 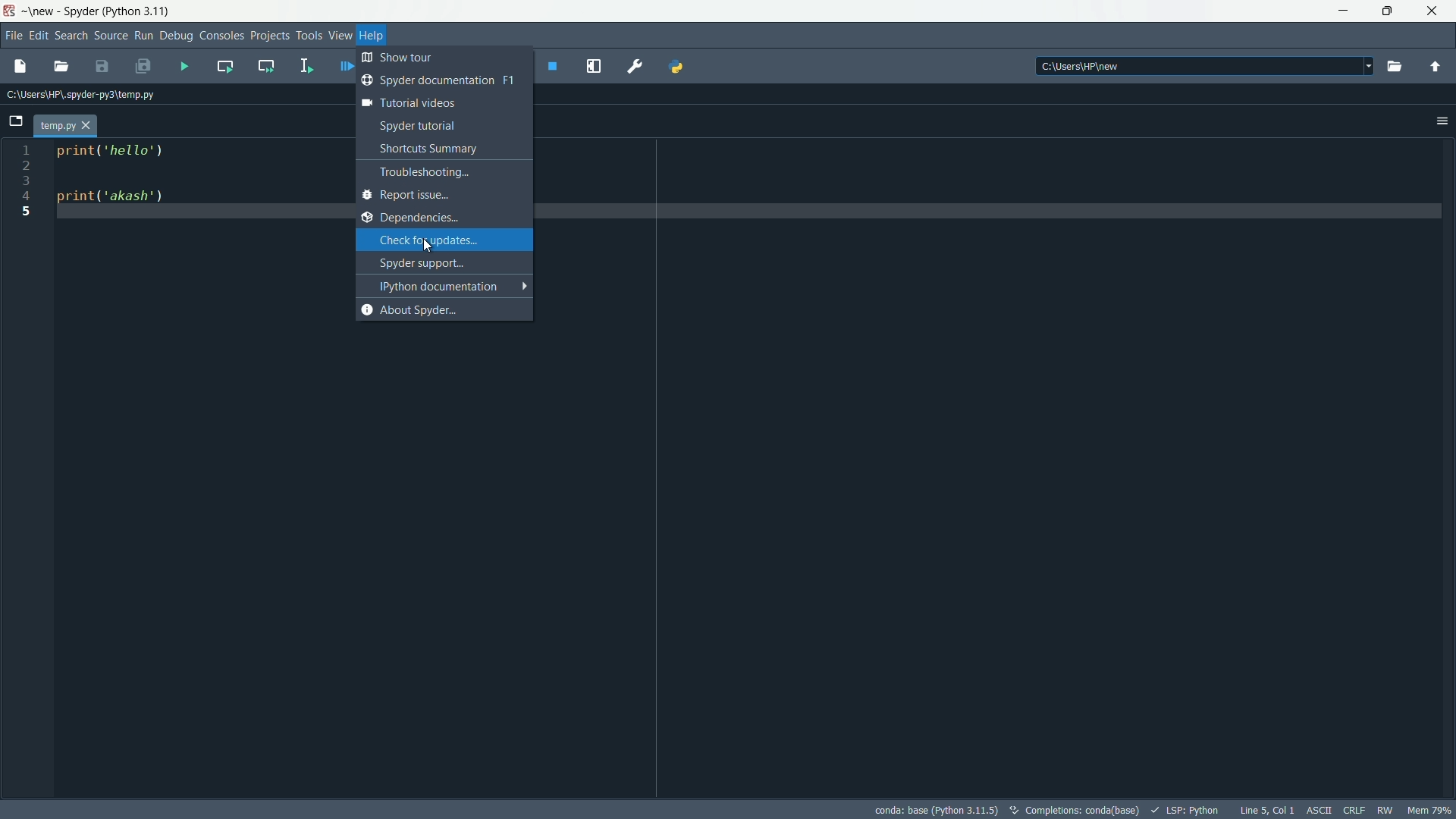 I want to click on open file, so click(x=61, y=65).